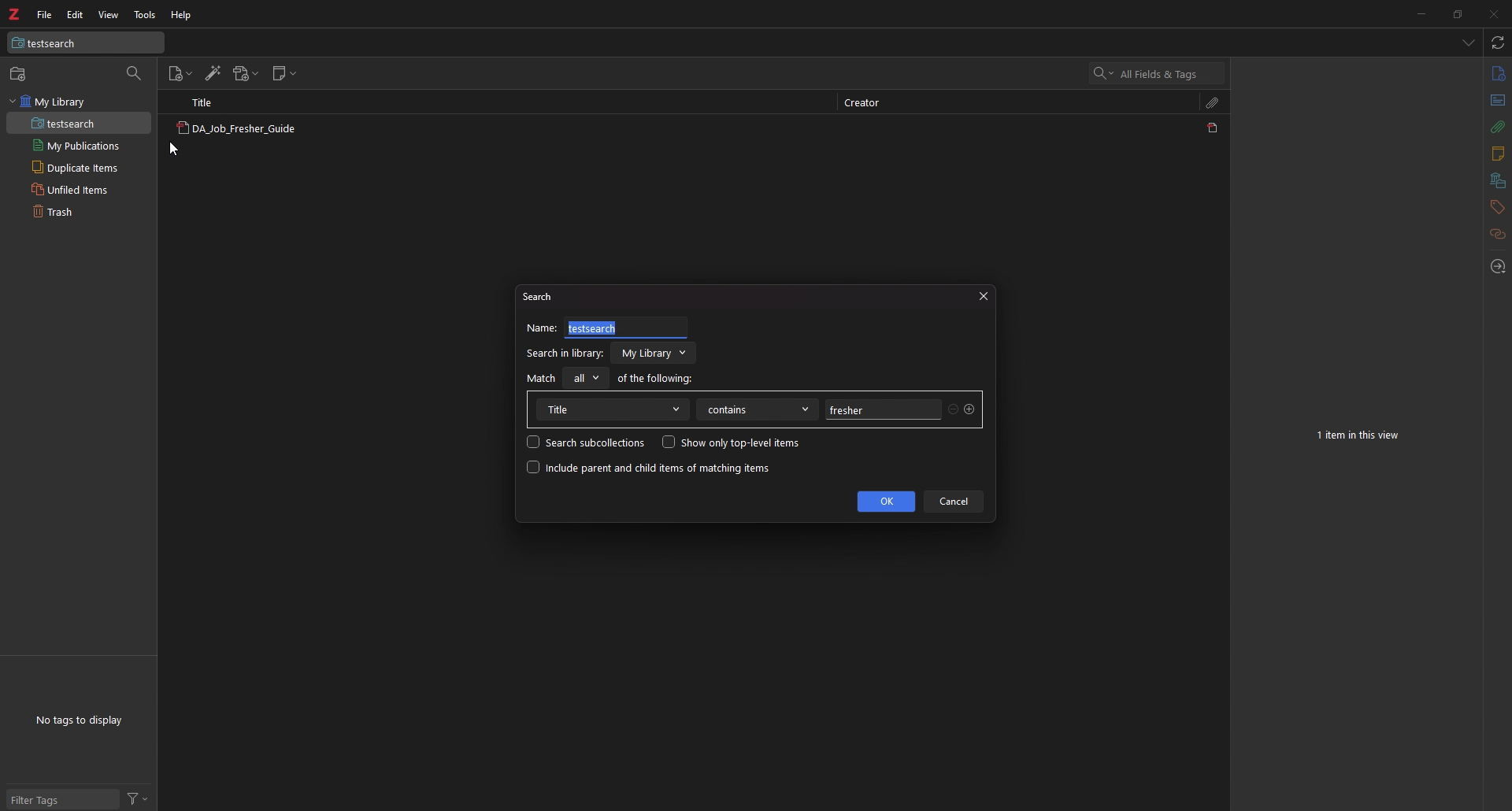 This screenshot has width=1512, height=811. Describe the element at coordinates (1499, 101) in the screenshot. I see `abstract` at that location.